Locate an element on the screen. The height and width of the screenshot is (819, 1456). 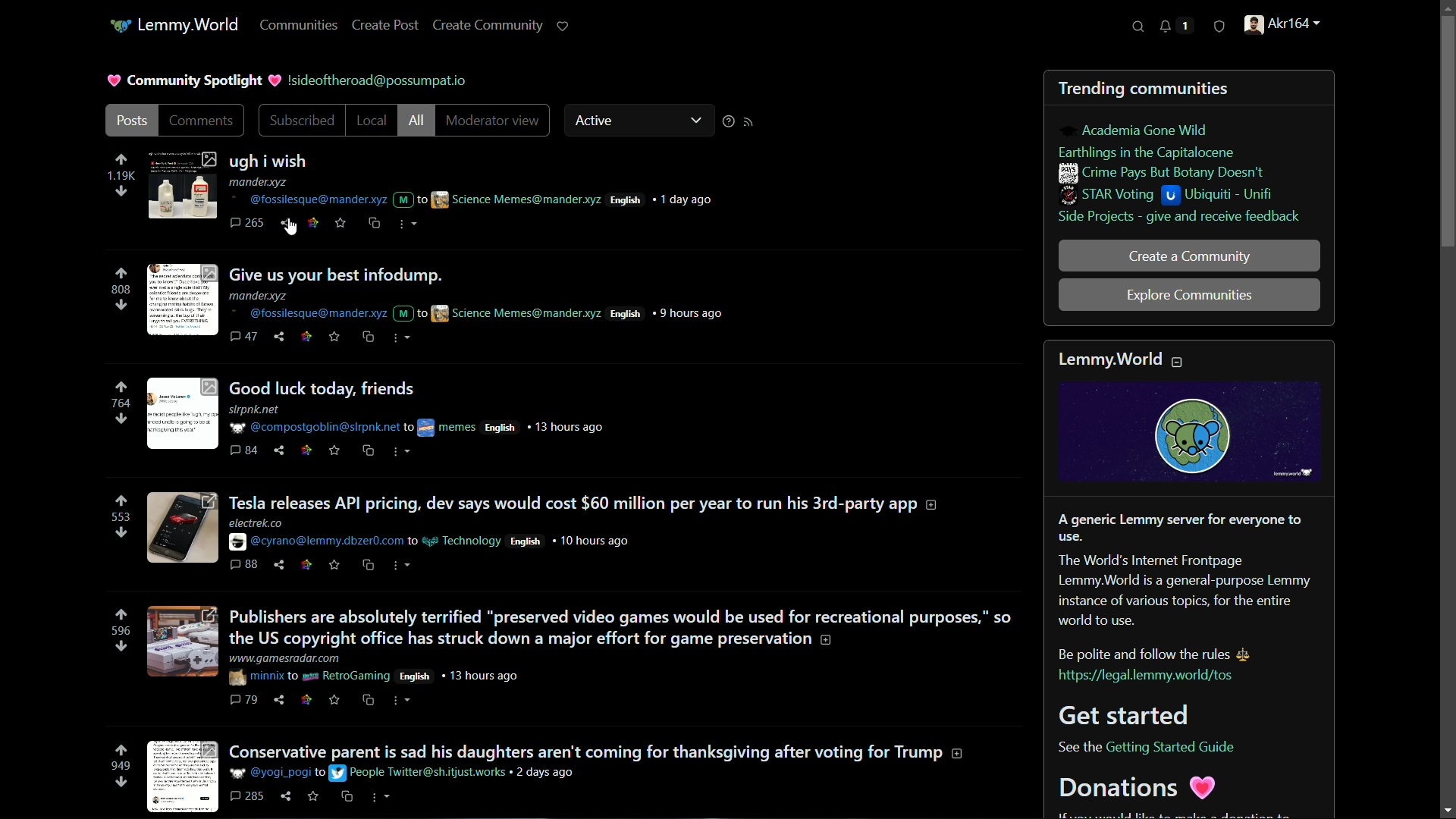
save is located at coordinates (315, 799).